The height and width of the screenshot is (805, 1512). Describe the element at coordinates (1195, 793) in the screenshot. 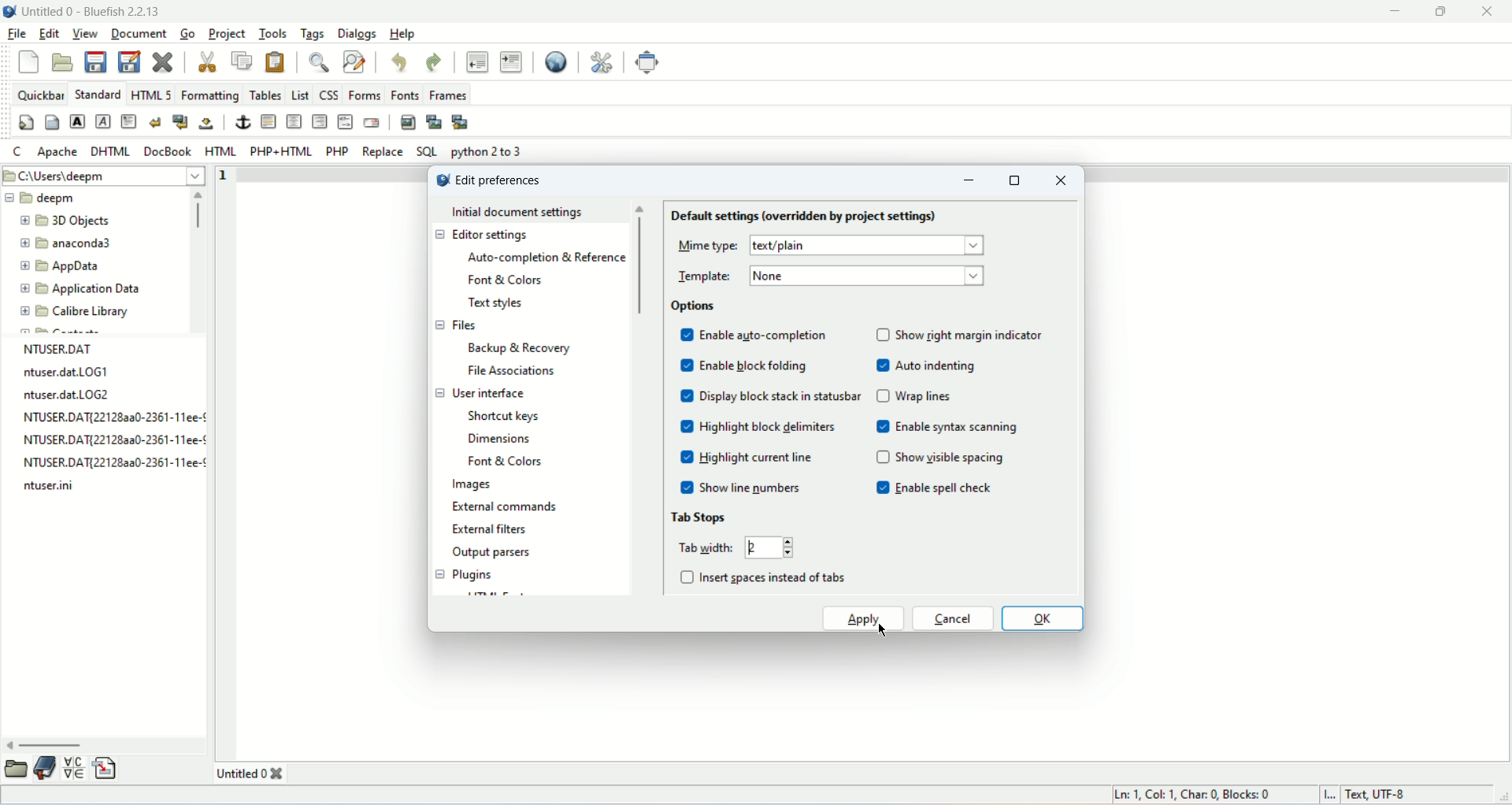

I see `Ln: 1. Col: 1. Char: 0 Blocks: 0` at that location.